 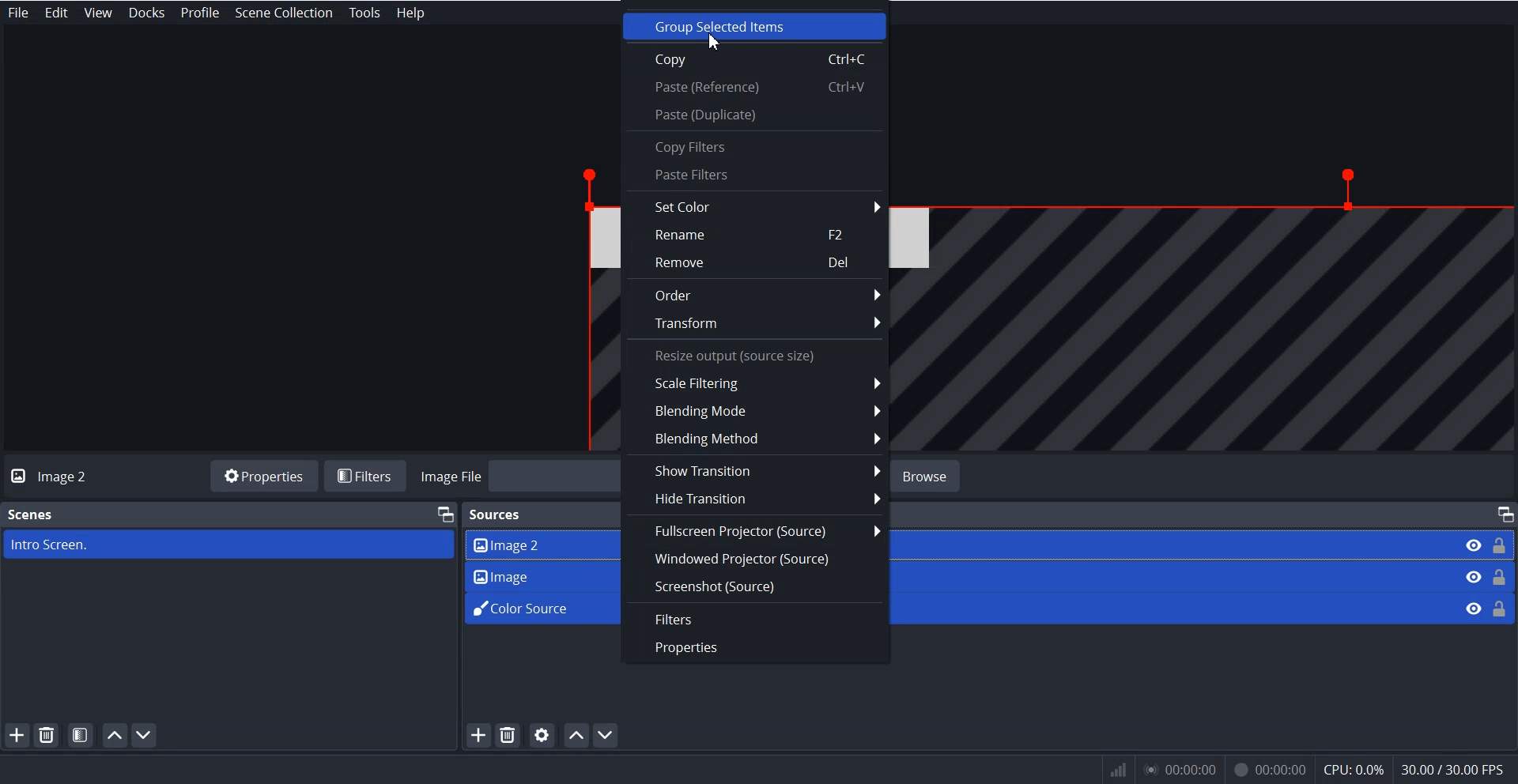 What do you see at coordinates (1183, 770) in the screenshot?
I see `00:00:00` at bounding box center [1183, 770].